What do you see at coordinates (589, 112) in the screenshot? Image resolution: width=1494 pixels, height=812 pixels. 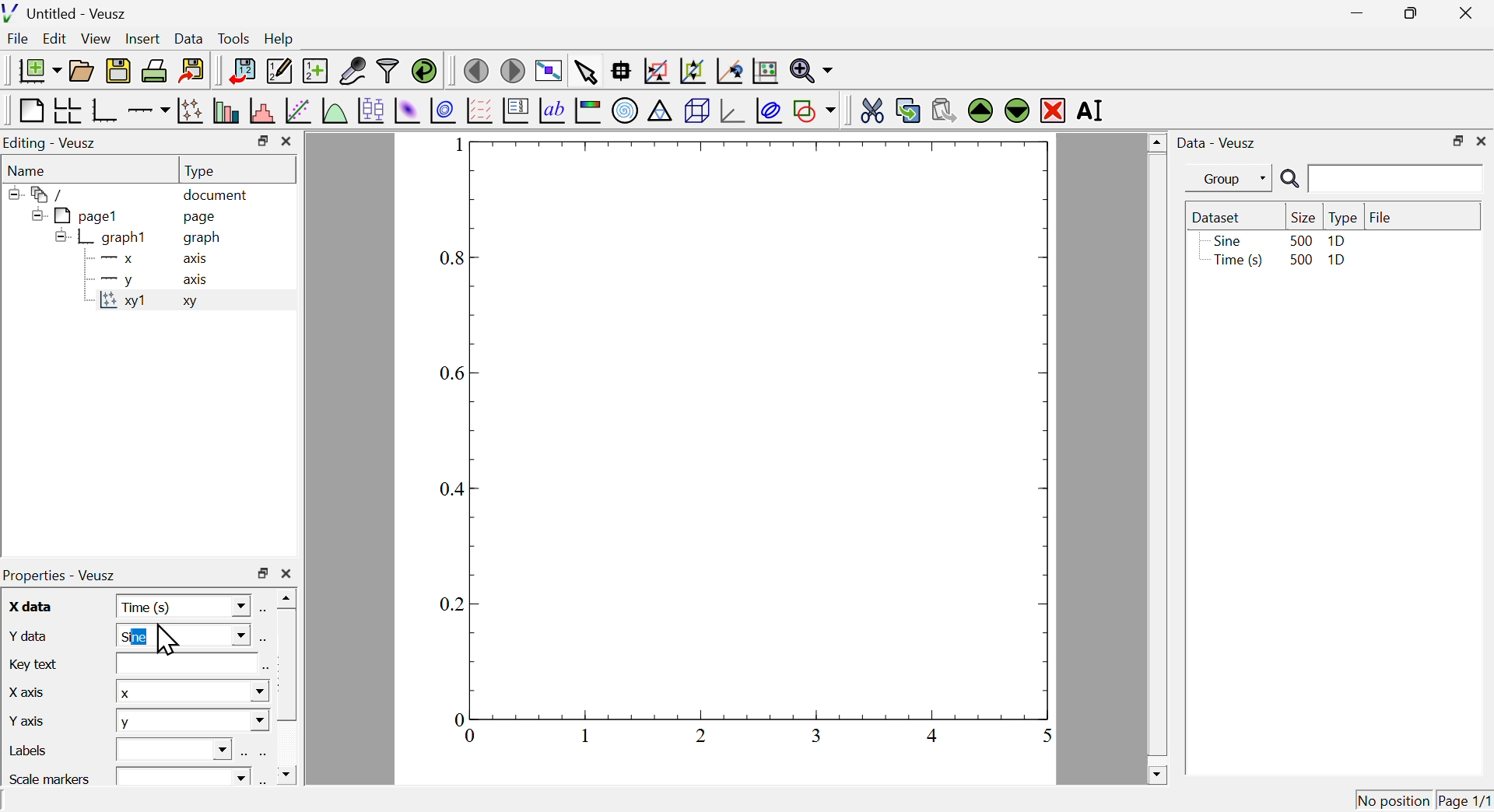 I see `image color bar` at bounding box center [589, 112].